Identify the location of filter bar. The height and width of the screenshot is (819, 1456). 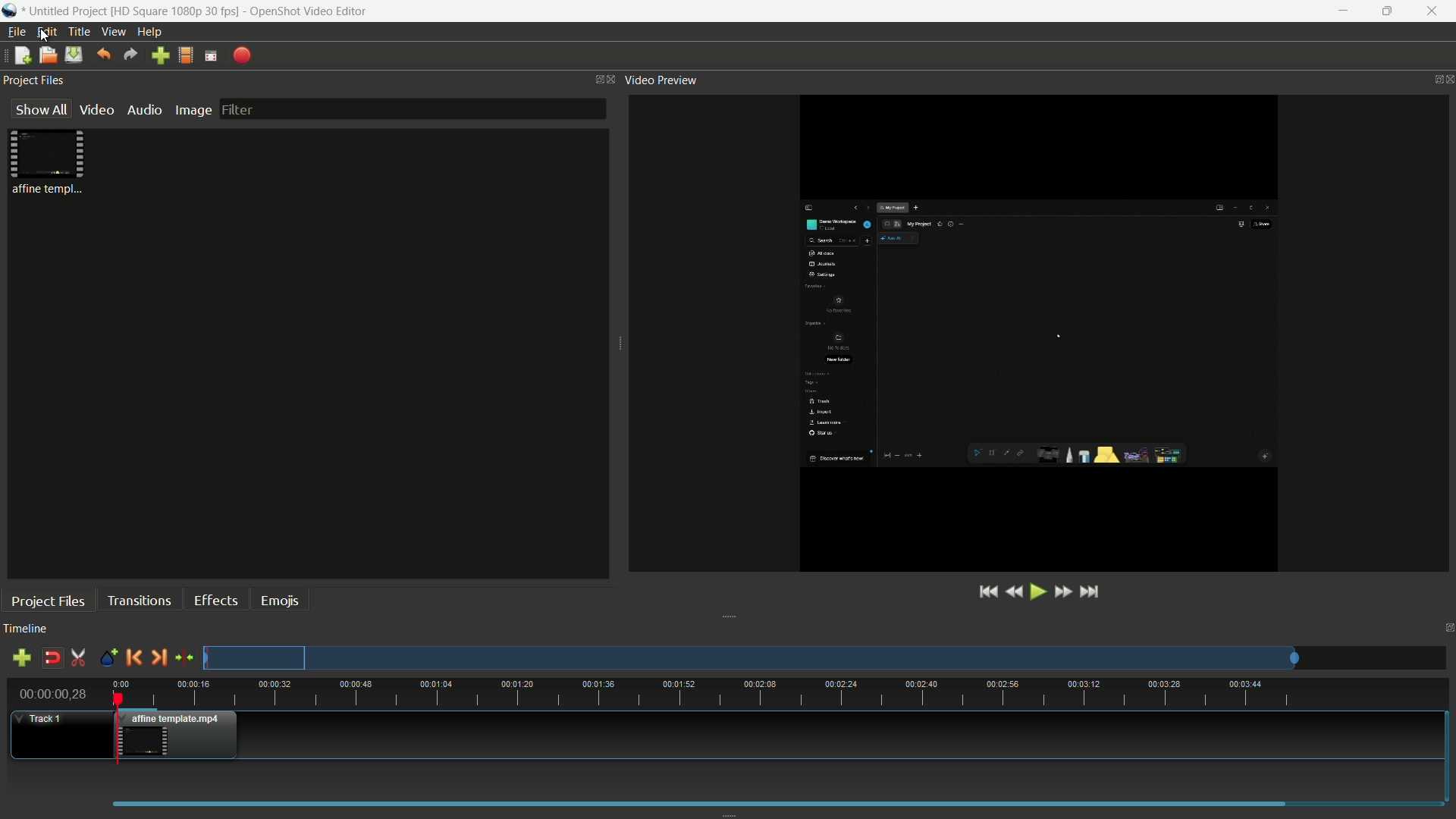
(411, 108).